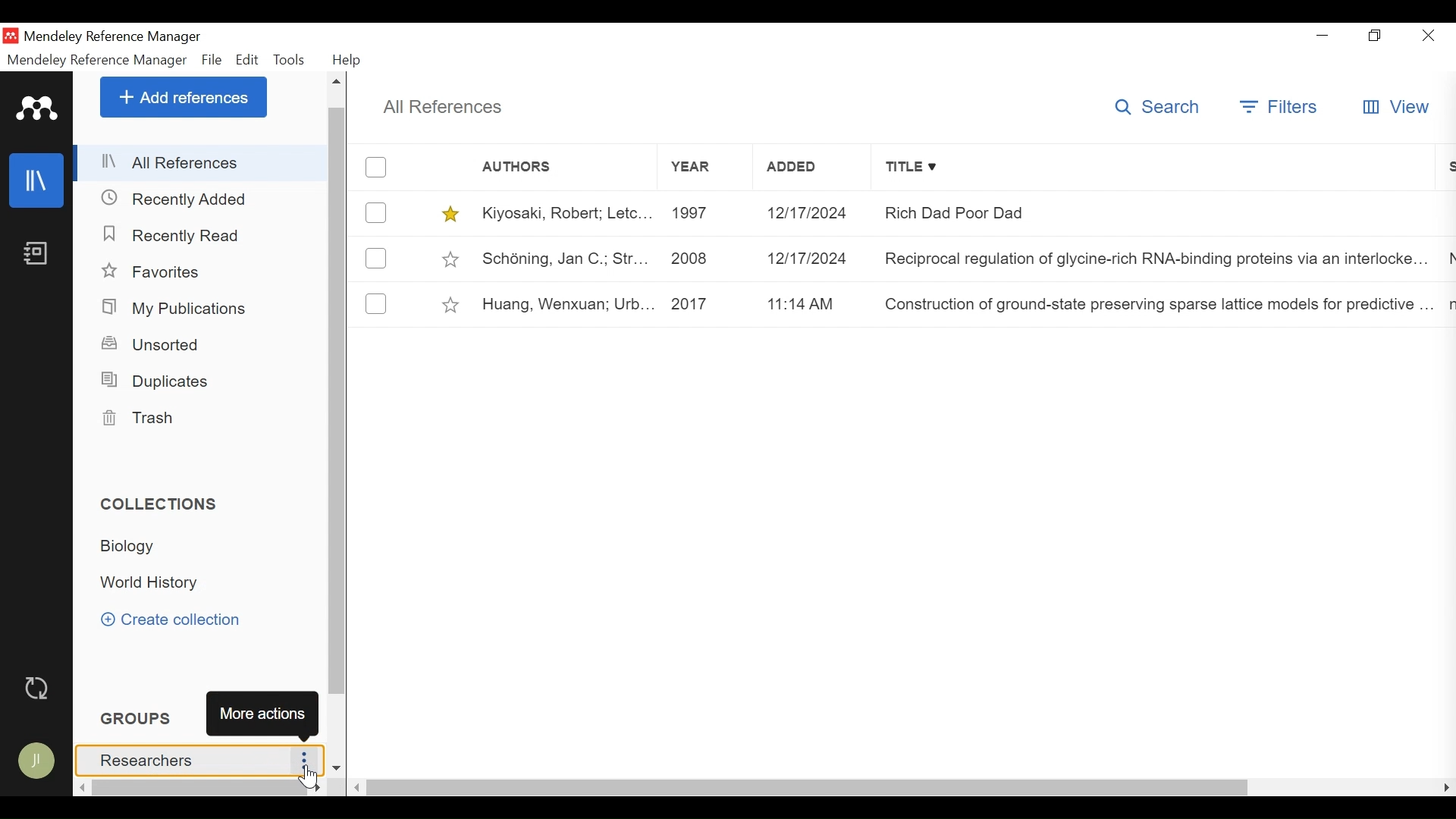  What do you see at coordinates (706, 304) in the screenshot?
I see `2017` at bounding box center [706, 304].